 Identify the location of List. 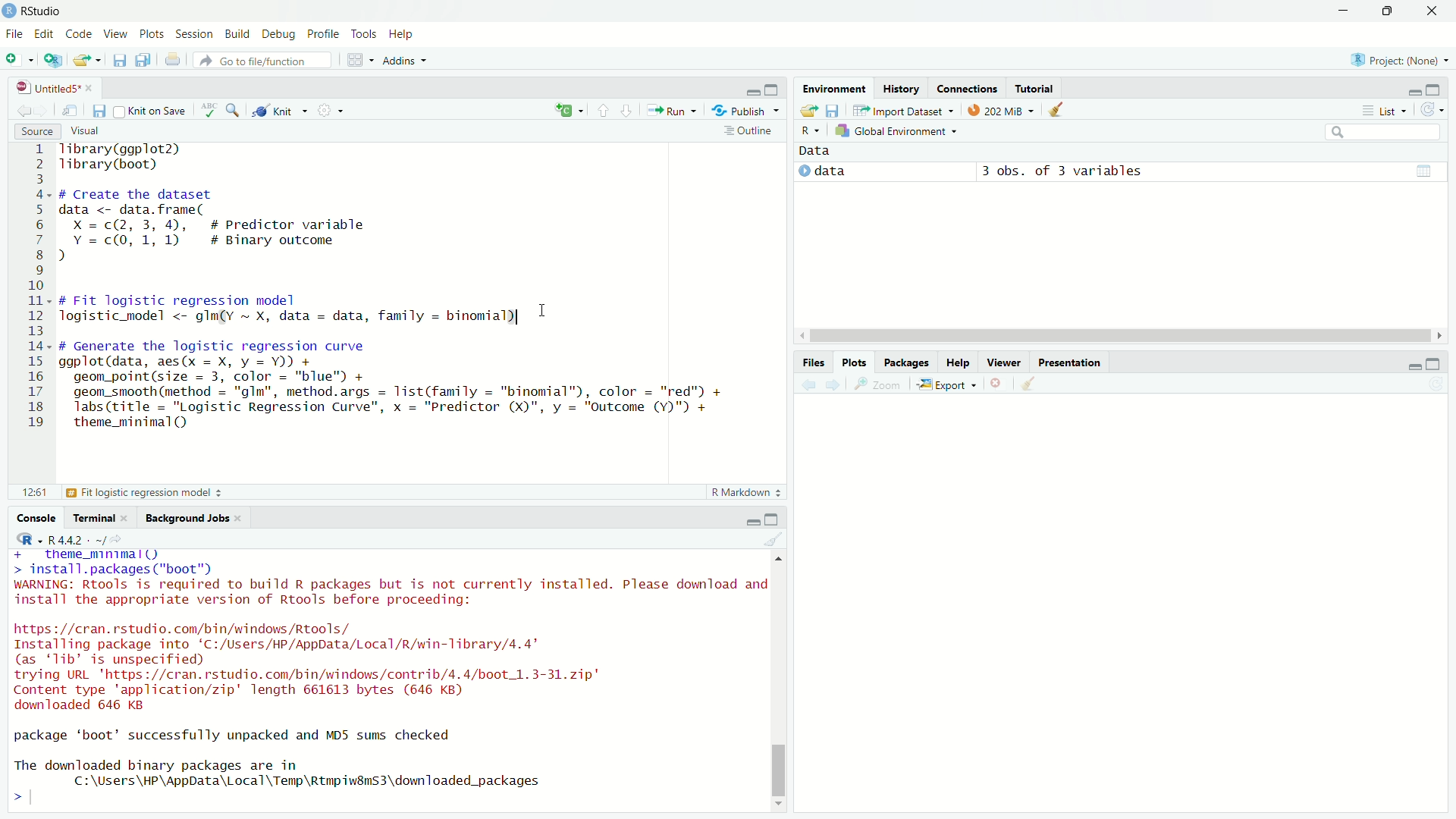
(1382, 110).